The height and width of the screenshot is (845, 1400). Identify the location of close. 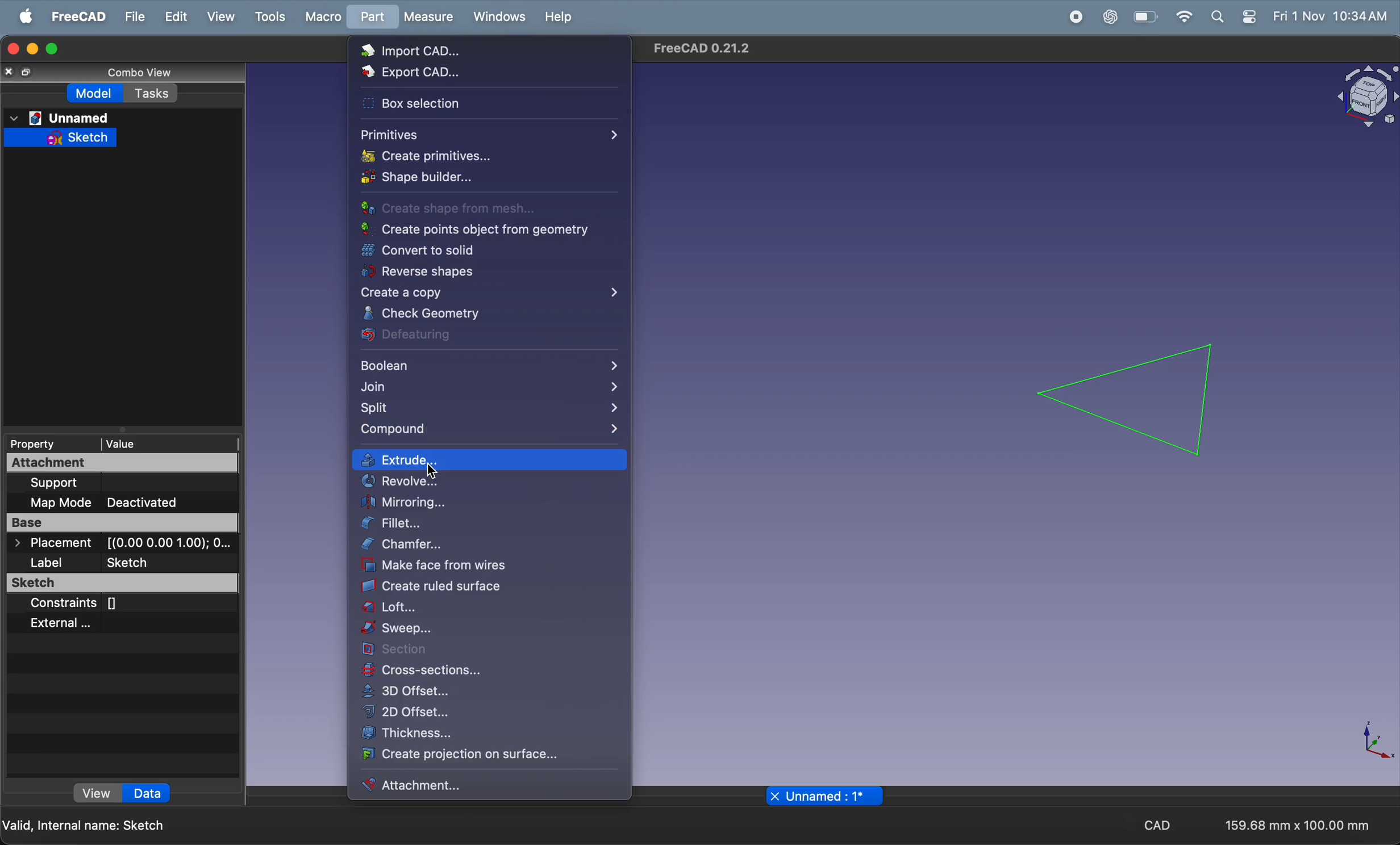
(774, 796).